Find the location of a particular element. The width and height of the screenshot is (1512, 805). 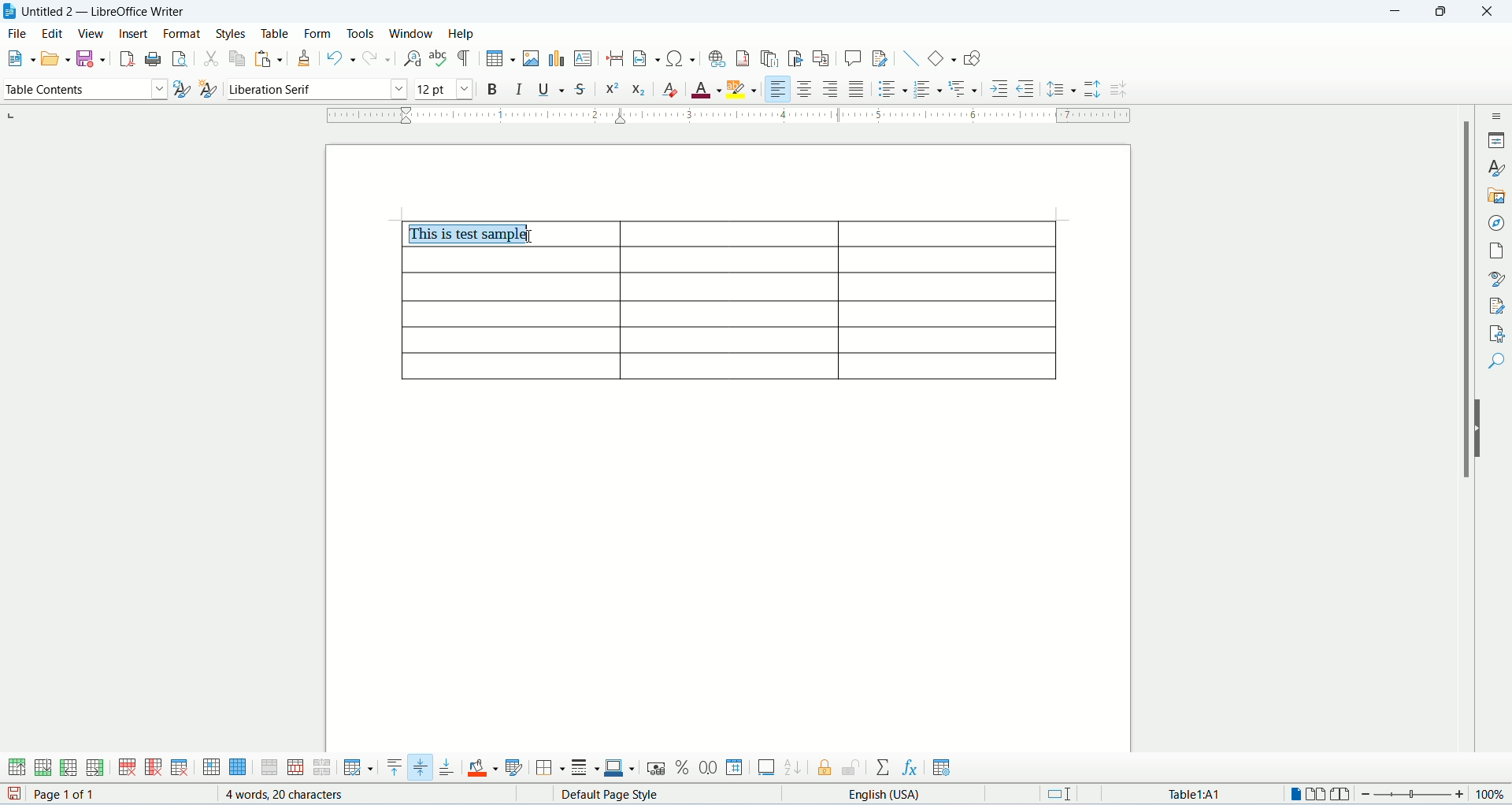

font size is located at coordinates (445, 90).